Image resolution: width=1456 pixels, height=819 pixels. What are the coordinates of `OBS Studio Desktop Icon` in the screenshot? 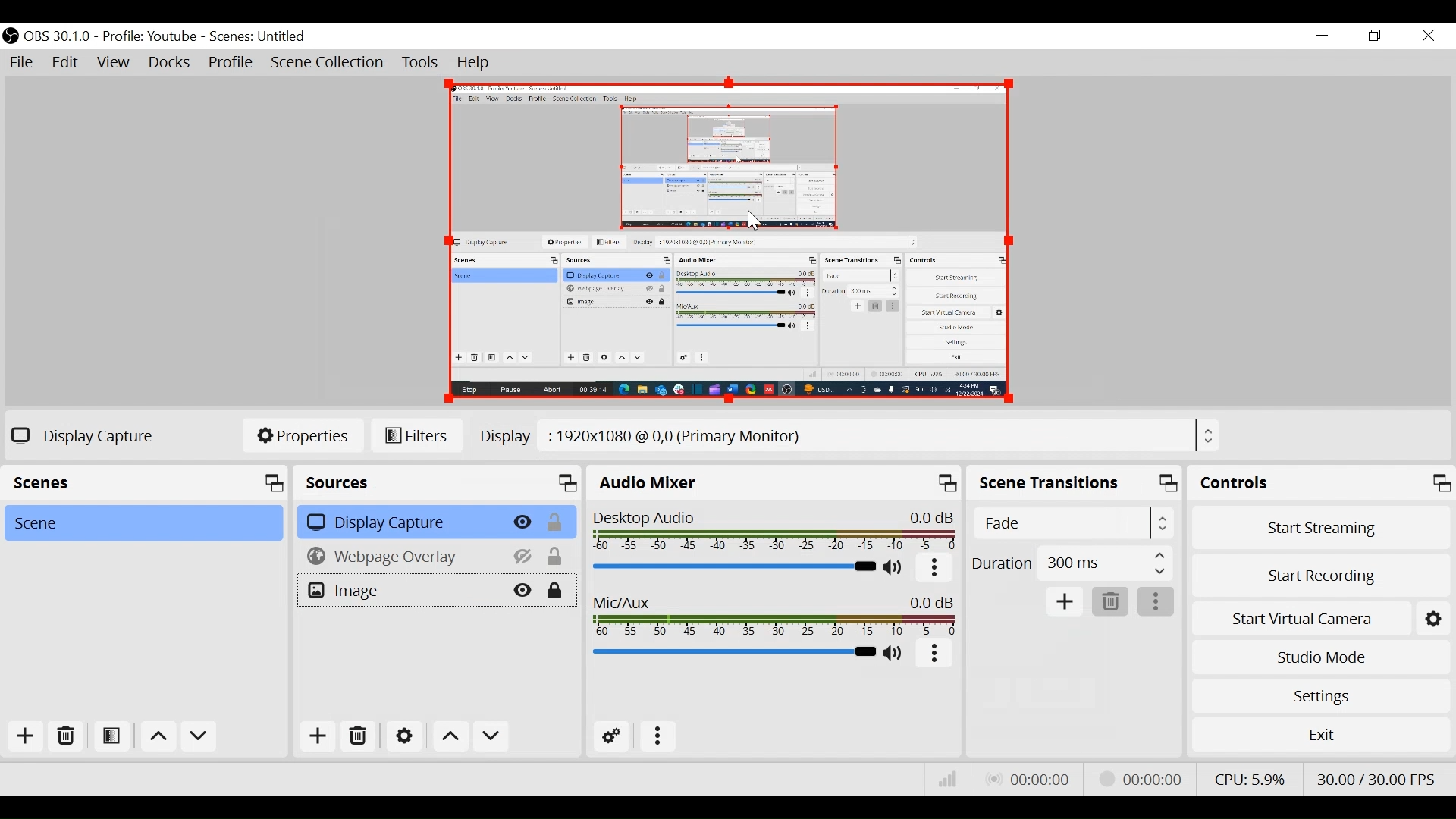 It's located at (10, 36).